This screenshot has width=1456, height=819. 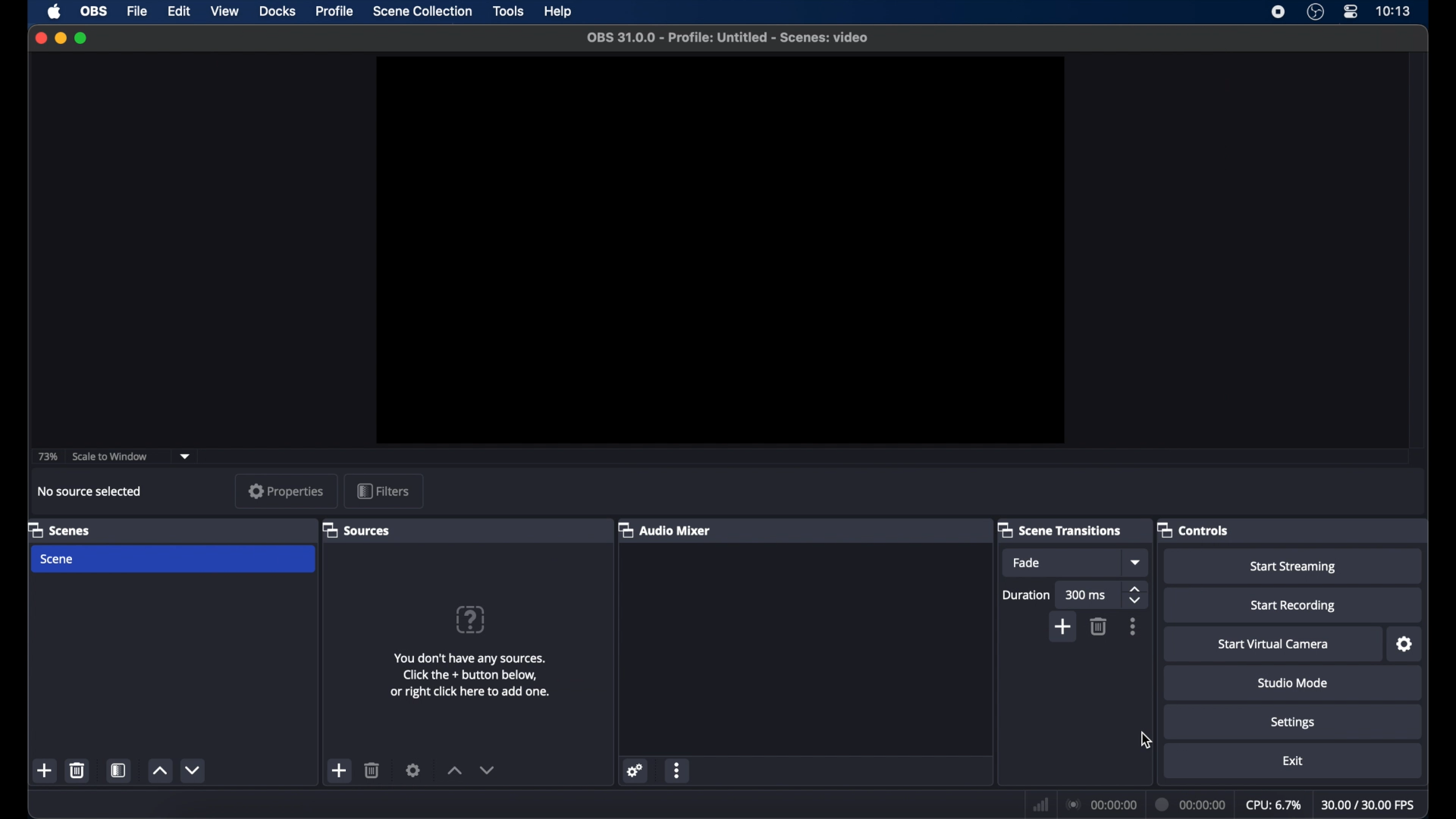 I want to click on file name, so click(x=726, y=36).